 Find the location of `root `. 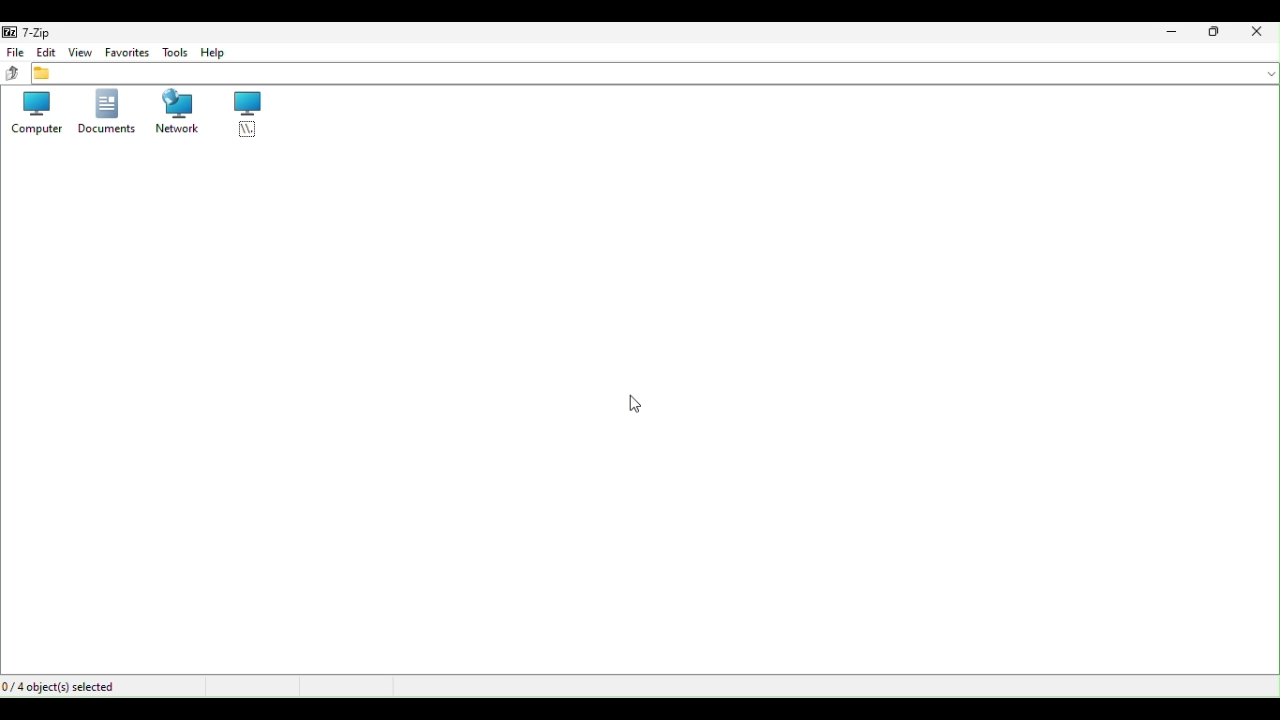

root  is located at coordinates (240, 117).